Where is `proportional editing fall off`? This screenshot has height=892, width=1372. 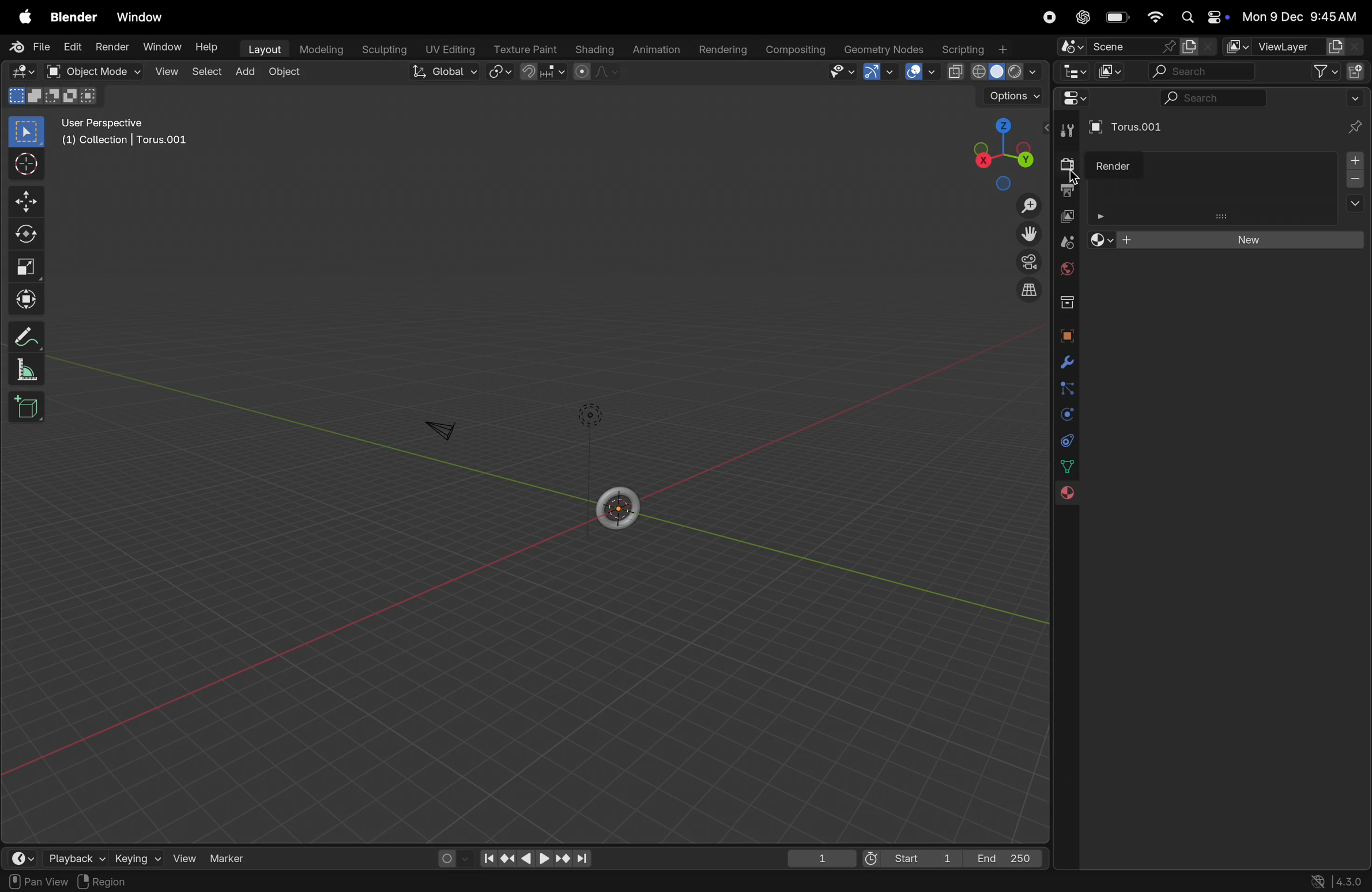 proportional editing fall off is located at coordinates (594, 73).